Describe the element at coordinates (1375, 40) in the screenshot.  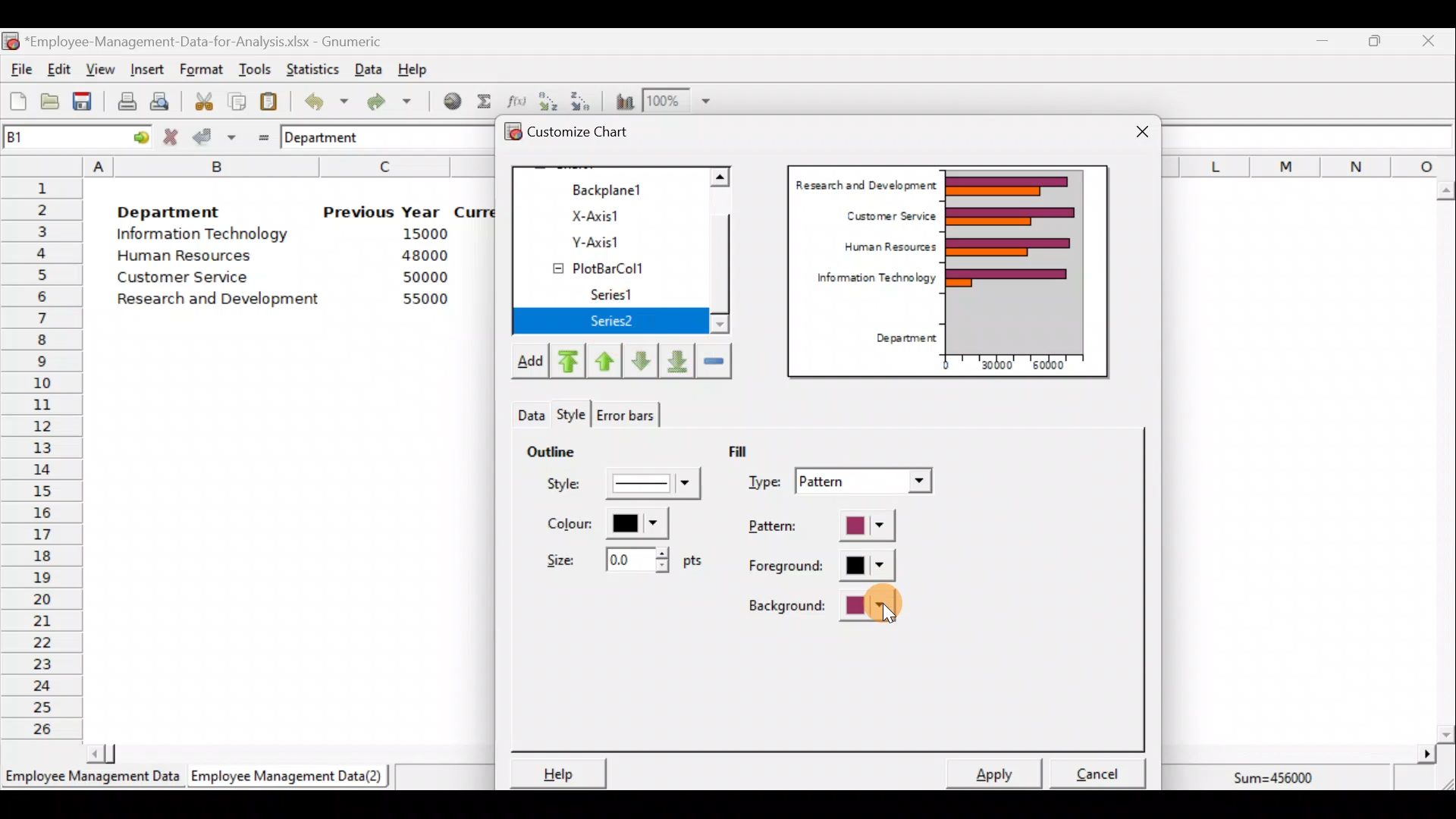
I see `Maximize` at that location.